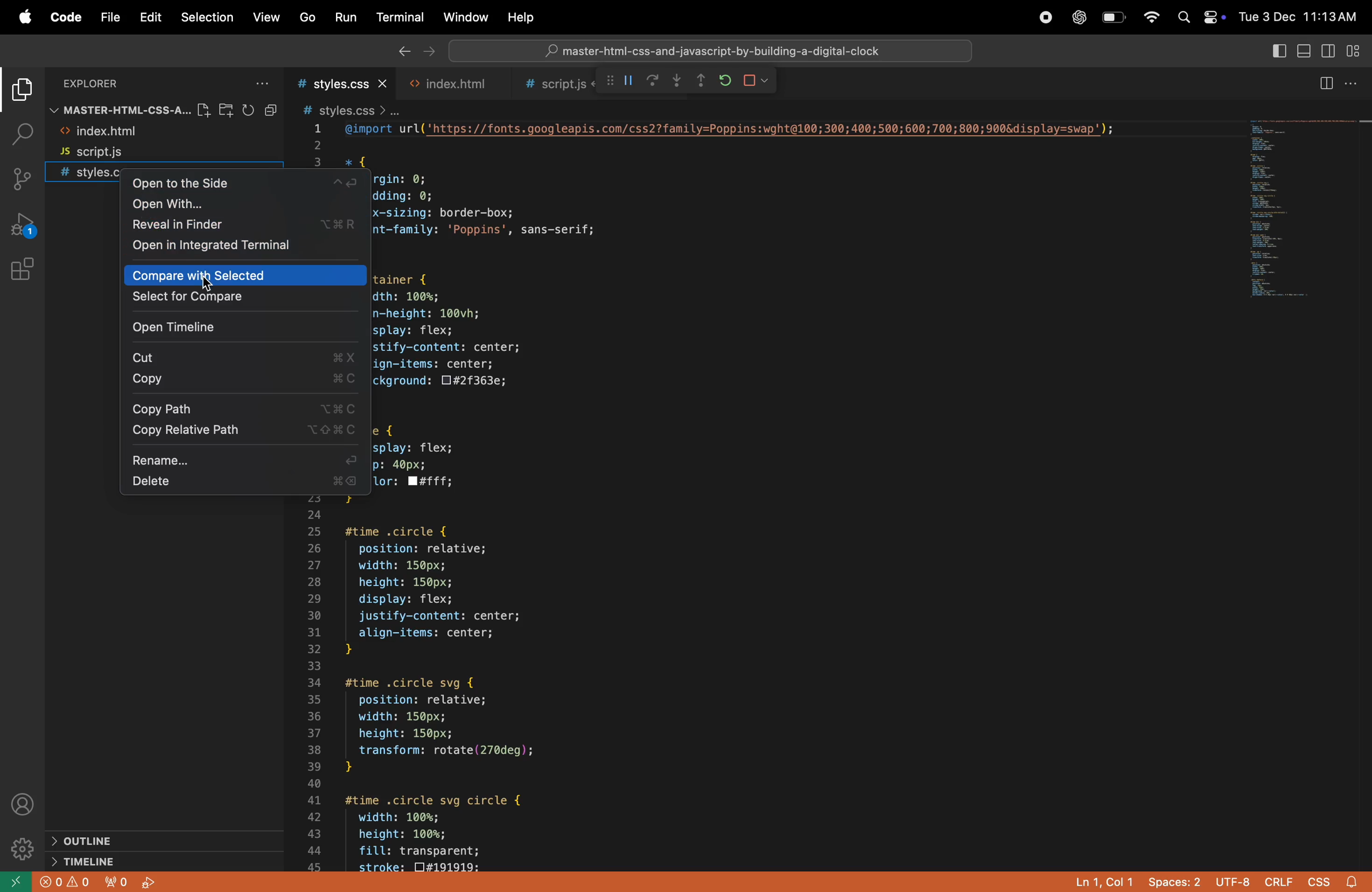 Image resolution: width=1372 pixels, height=892 pixels. Describe the element at coordinates (84, 174) in the screenshot. I see `style.css` at that location.